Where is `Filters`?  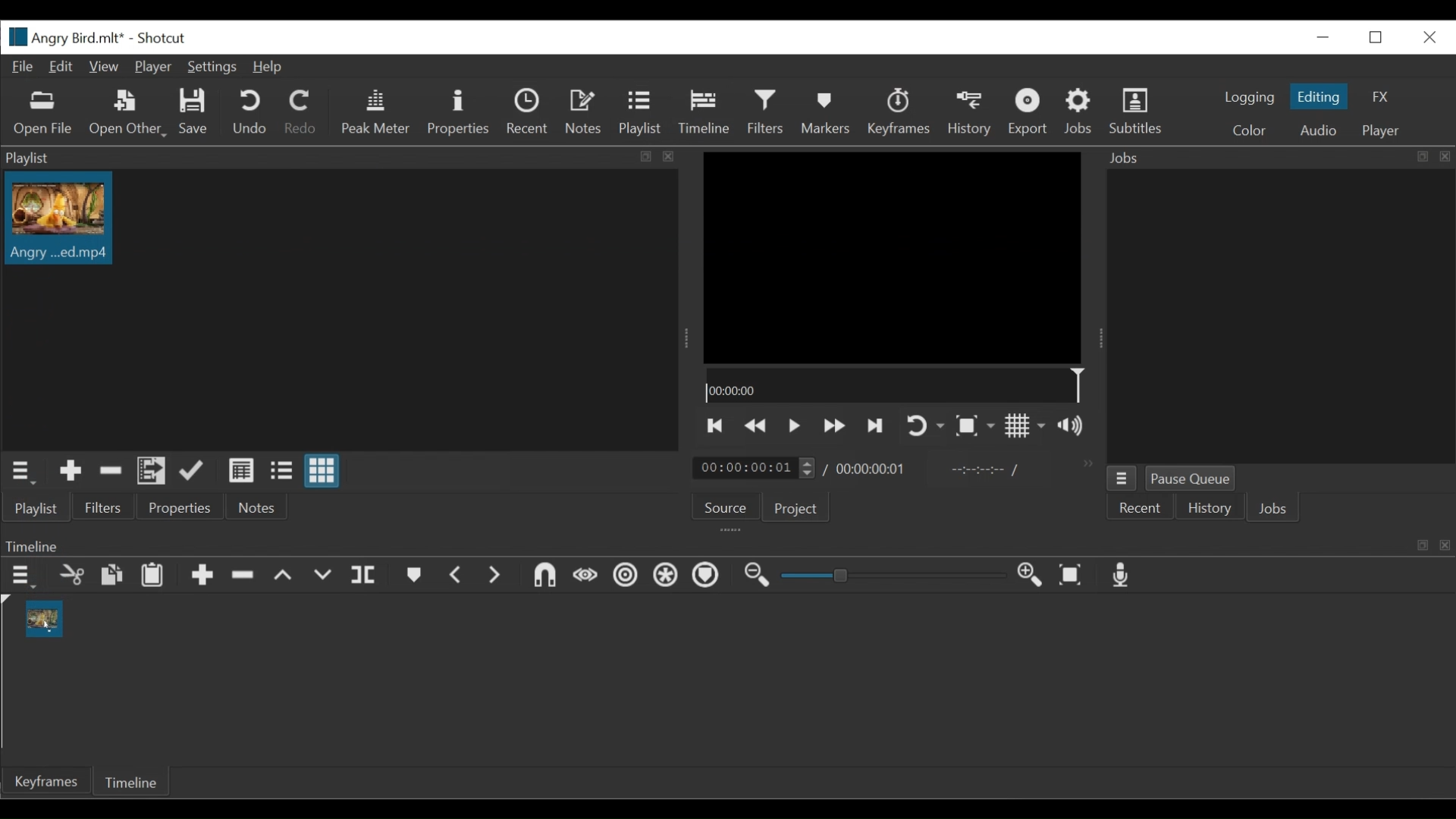
Filters is located at coordinates (767, 111).